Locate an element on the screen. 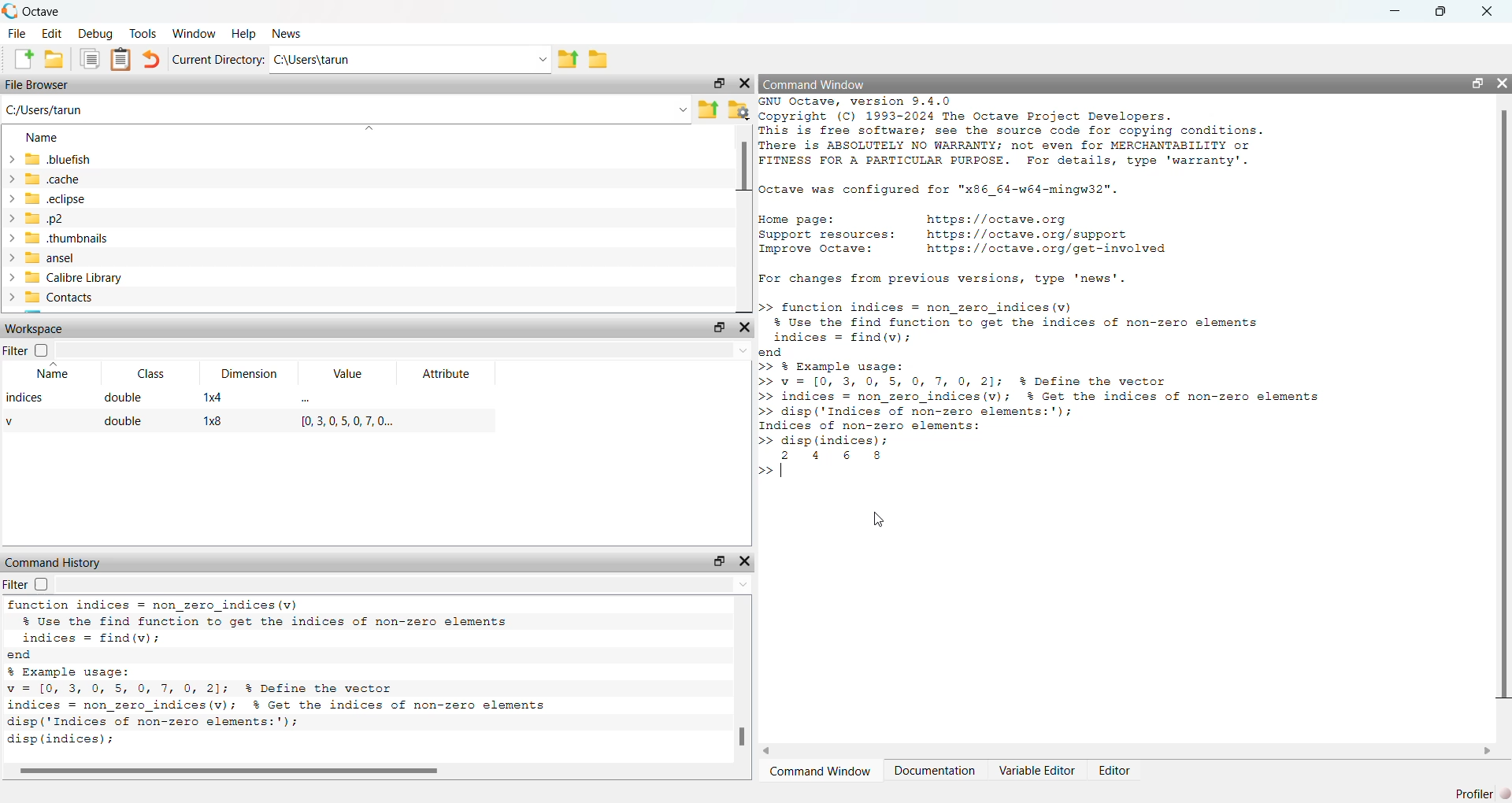 The image size is (1512, 803). close is located at coordinates (745, 329).